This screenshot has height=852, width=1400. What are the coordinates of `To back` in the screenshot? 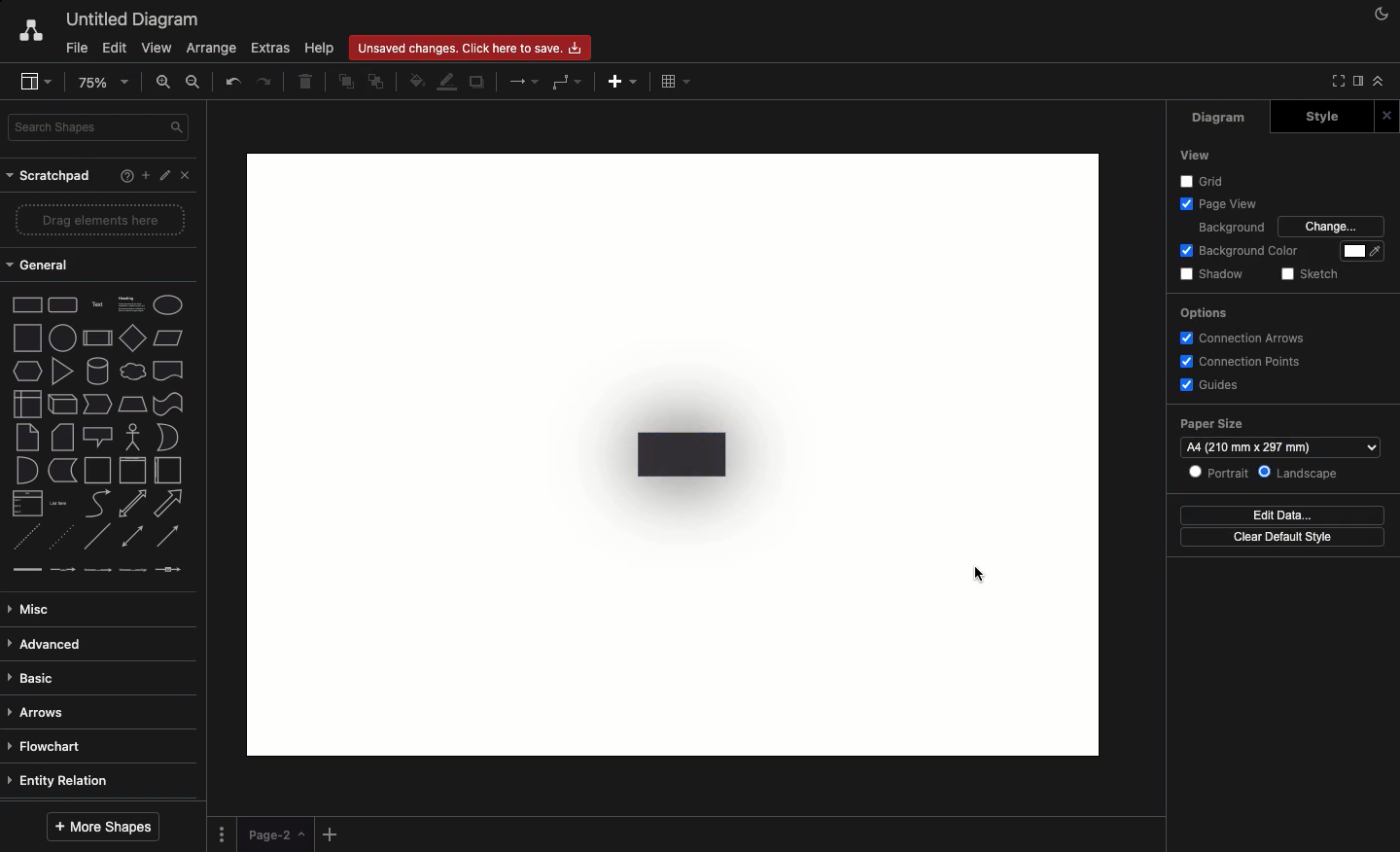 It's located at (376, 83).